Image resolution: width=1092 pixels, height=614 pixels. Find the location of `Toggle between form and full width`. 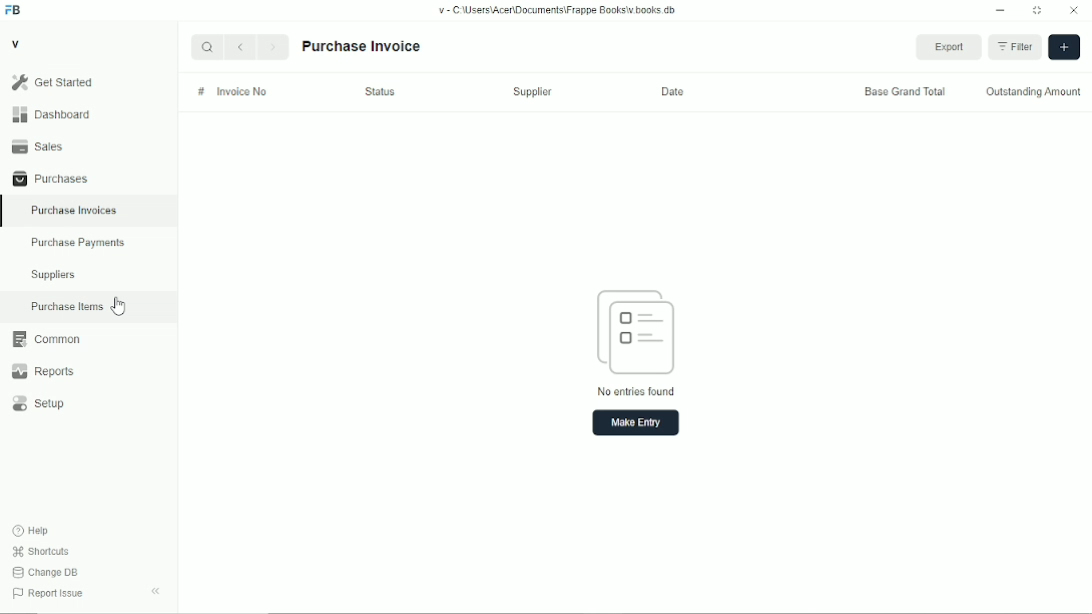

Toggle between form and full width is located at coordinates (1038, 11).